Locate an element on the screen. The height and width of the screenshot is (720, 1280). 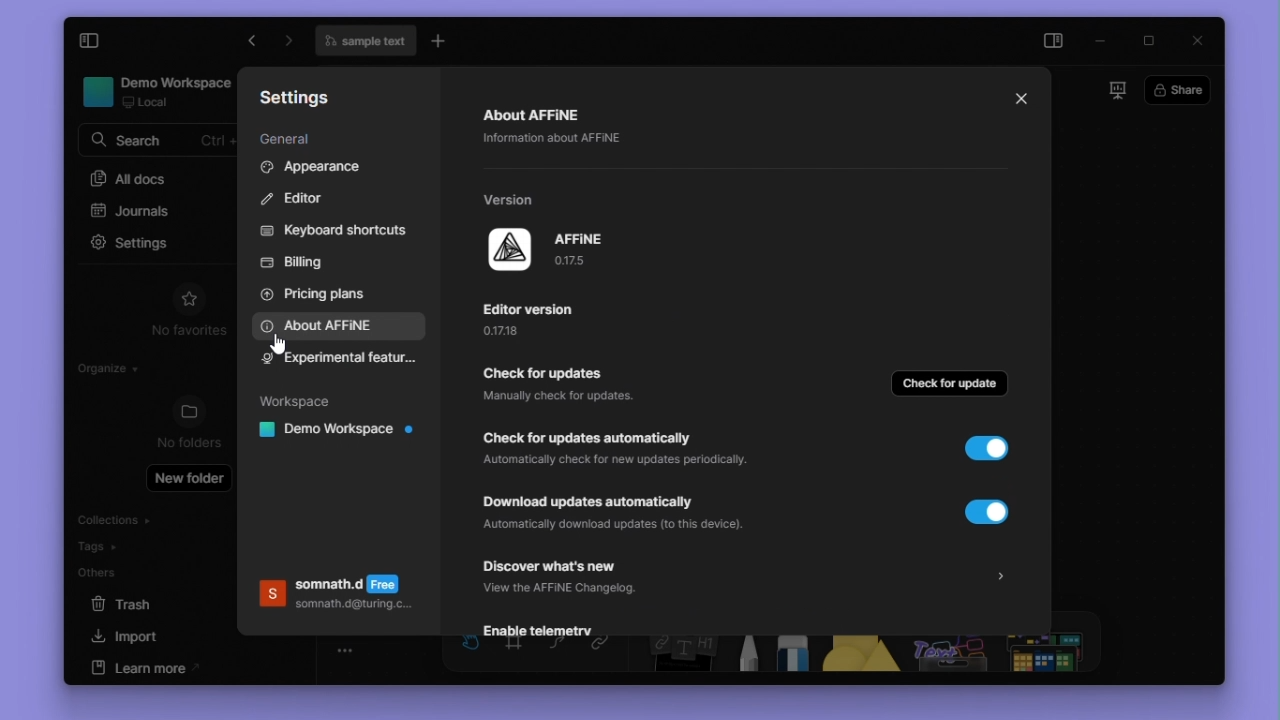
curve is located at coordinates (558, 653).